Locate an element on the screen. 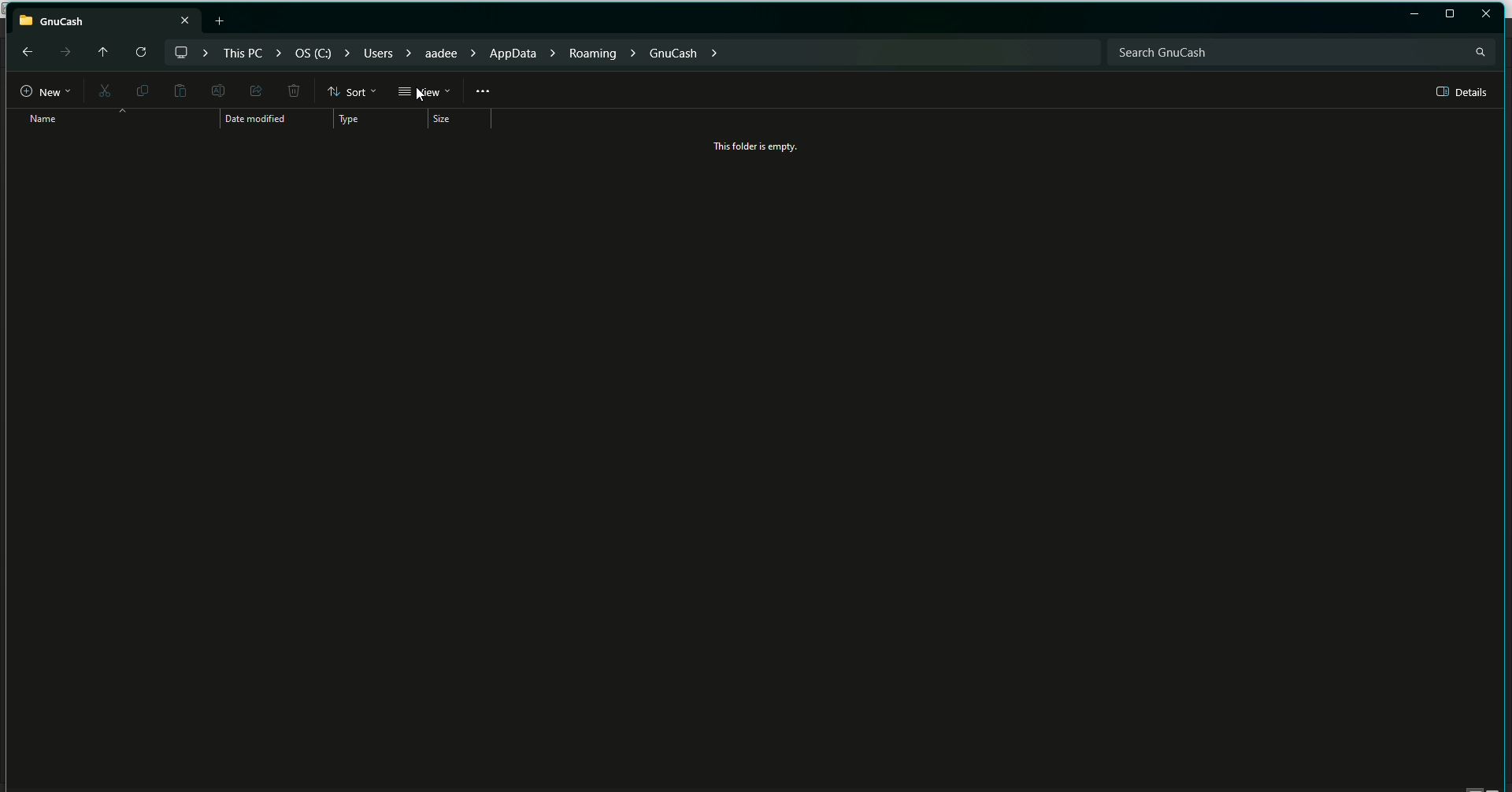 The height and width of the screenshot is (792, 1512). Refresh is located at coordinates (139, 53).